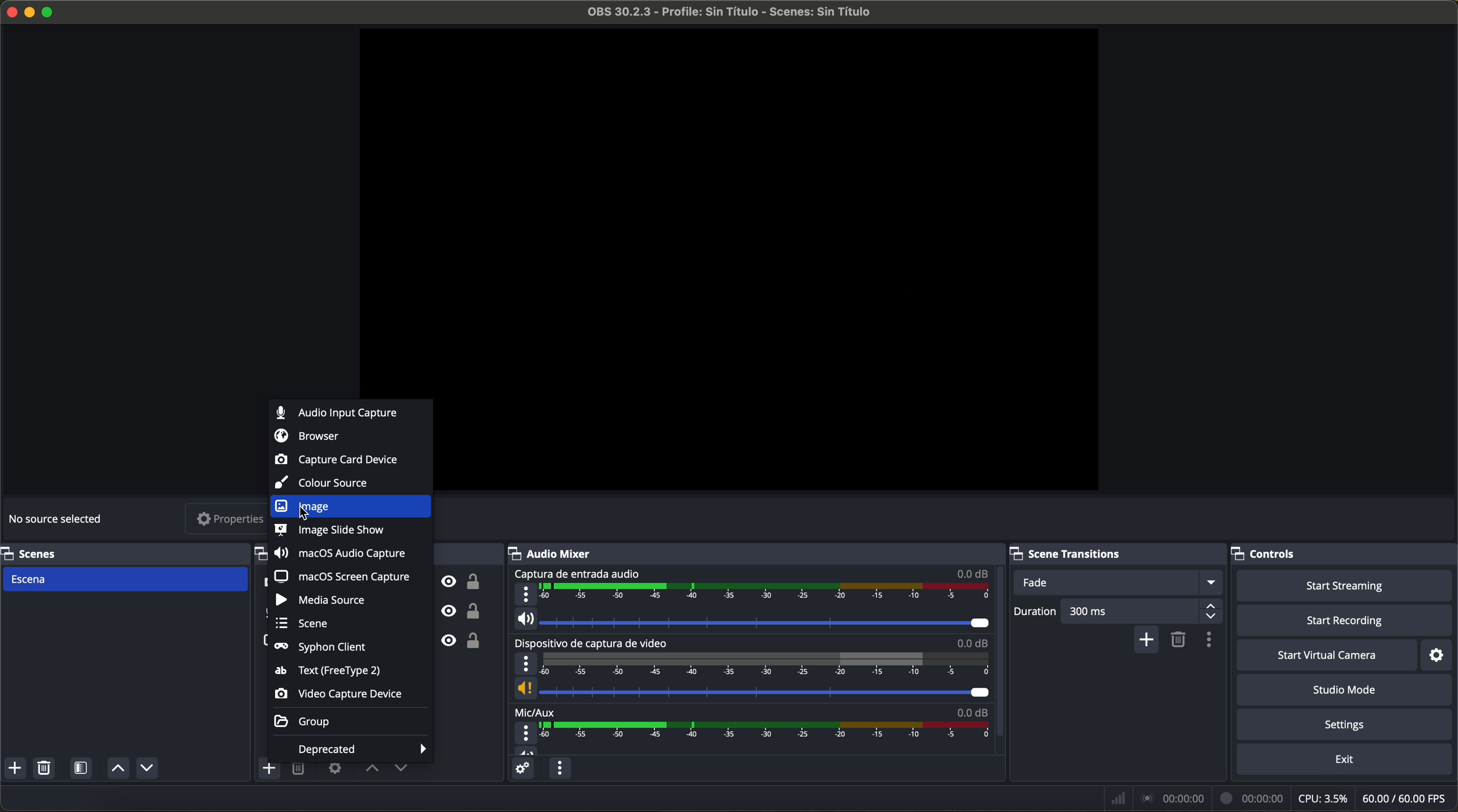 This screenshot has width=1458, height=812. I want to click on browser, so click(310, 436).